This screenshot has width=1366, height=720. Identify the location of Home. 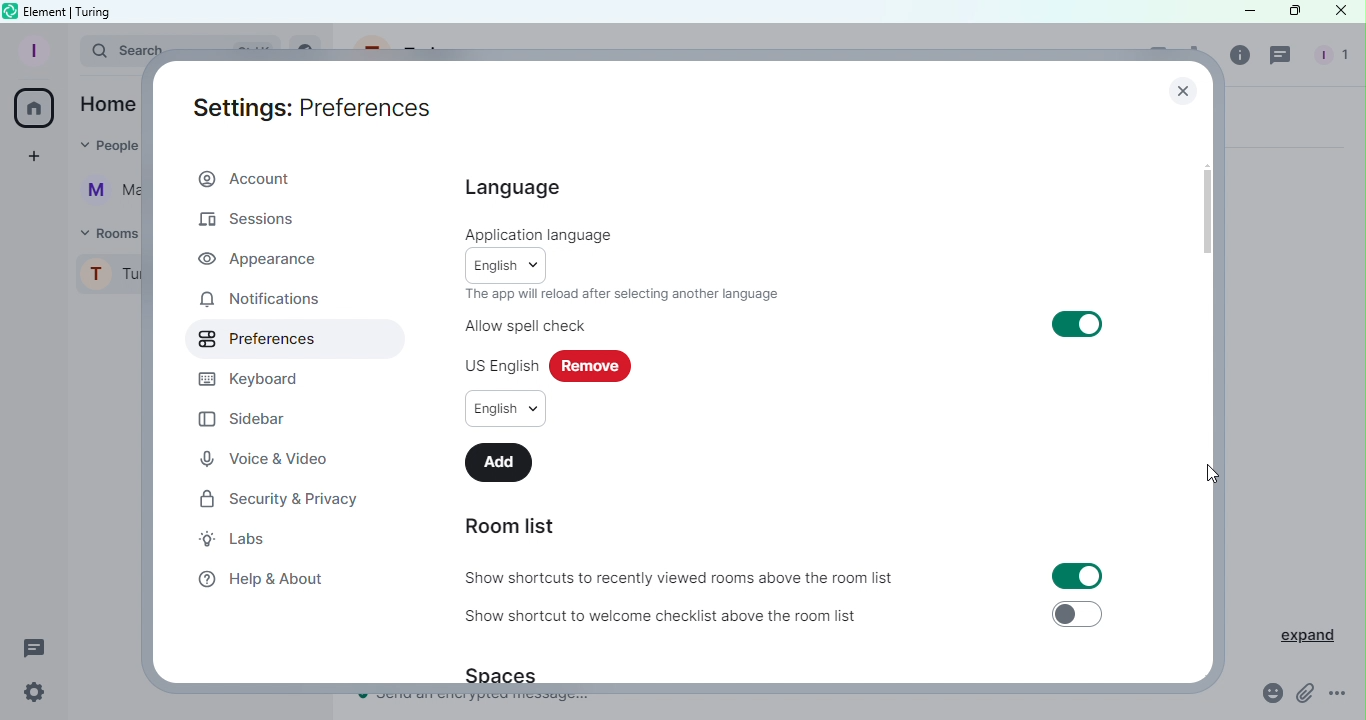
(36, 108).